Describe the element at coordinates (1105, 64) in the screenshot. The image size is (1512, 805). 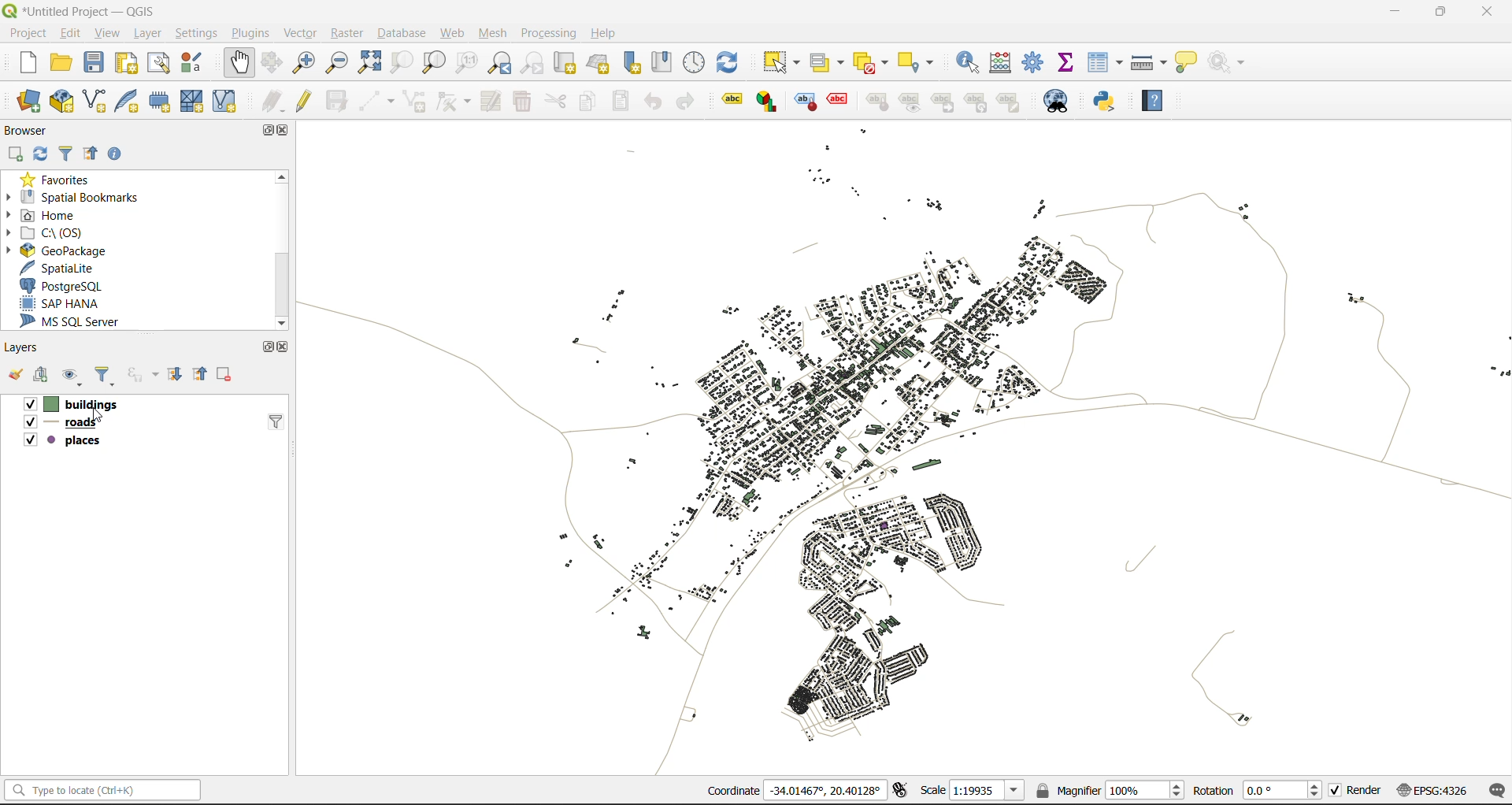
I see `attributes table` at that location.